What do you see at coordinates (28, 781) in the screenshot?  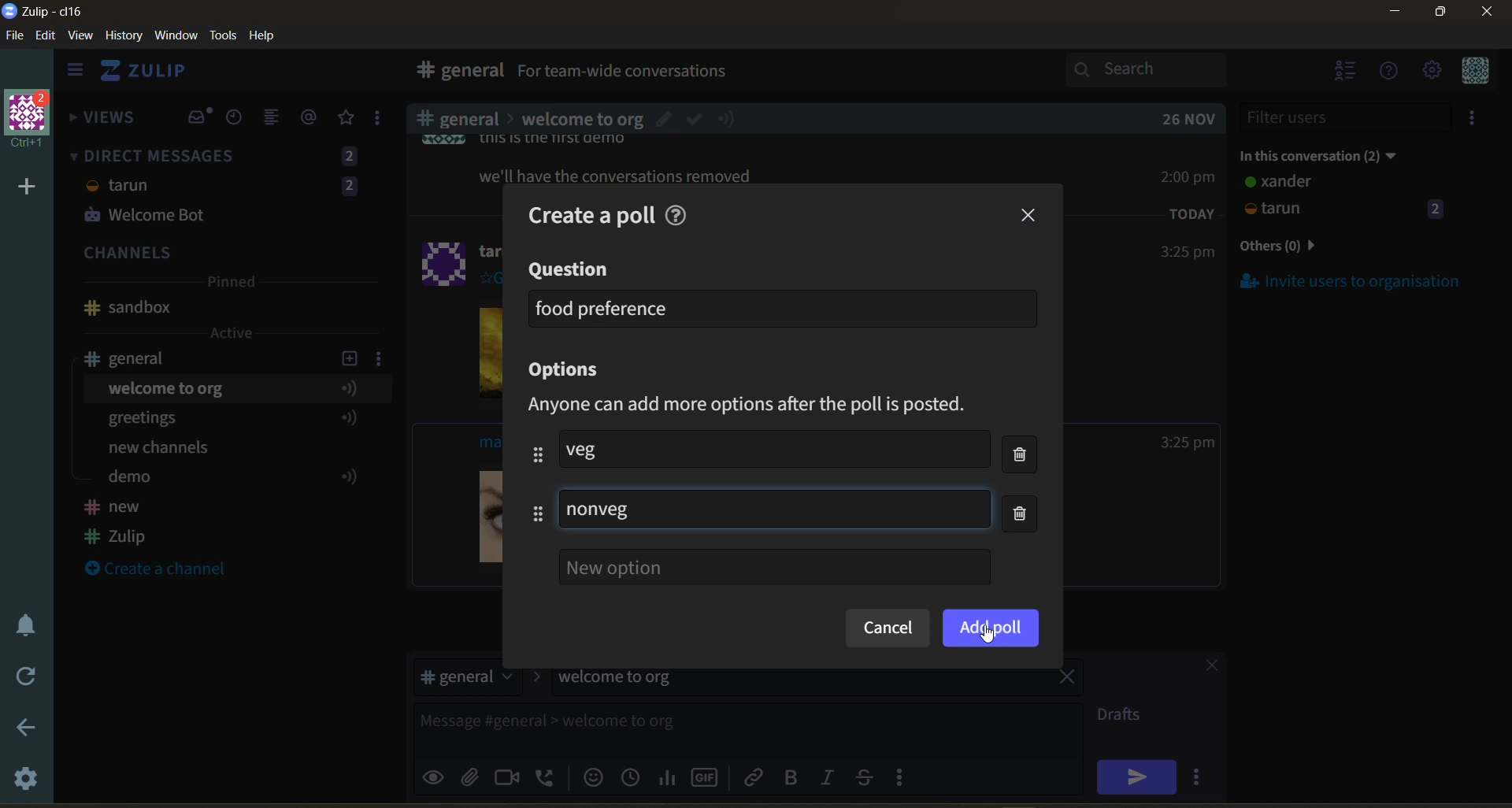 I see `settings` at bounding box center [28, 781].